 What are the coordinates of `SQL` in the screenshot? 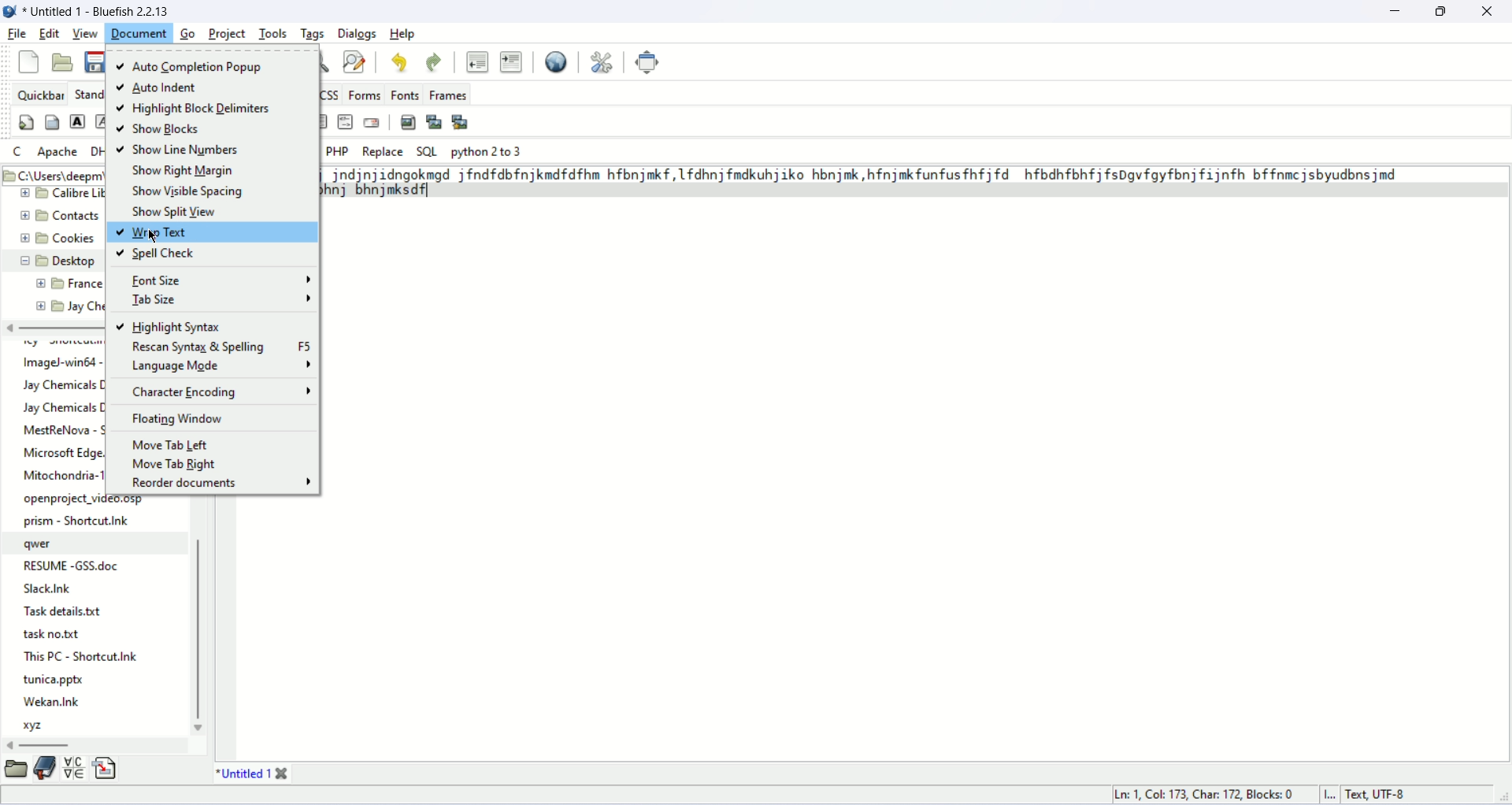 It's located at (428, 150).